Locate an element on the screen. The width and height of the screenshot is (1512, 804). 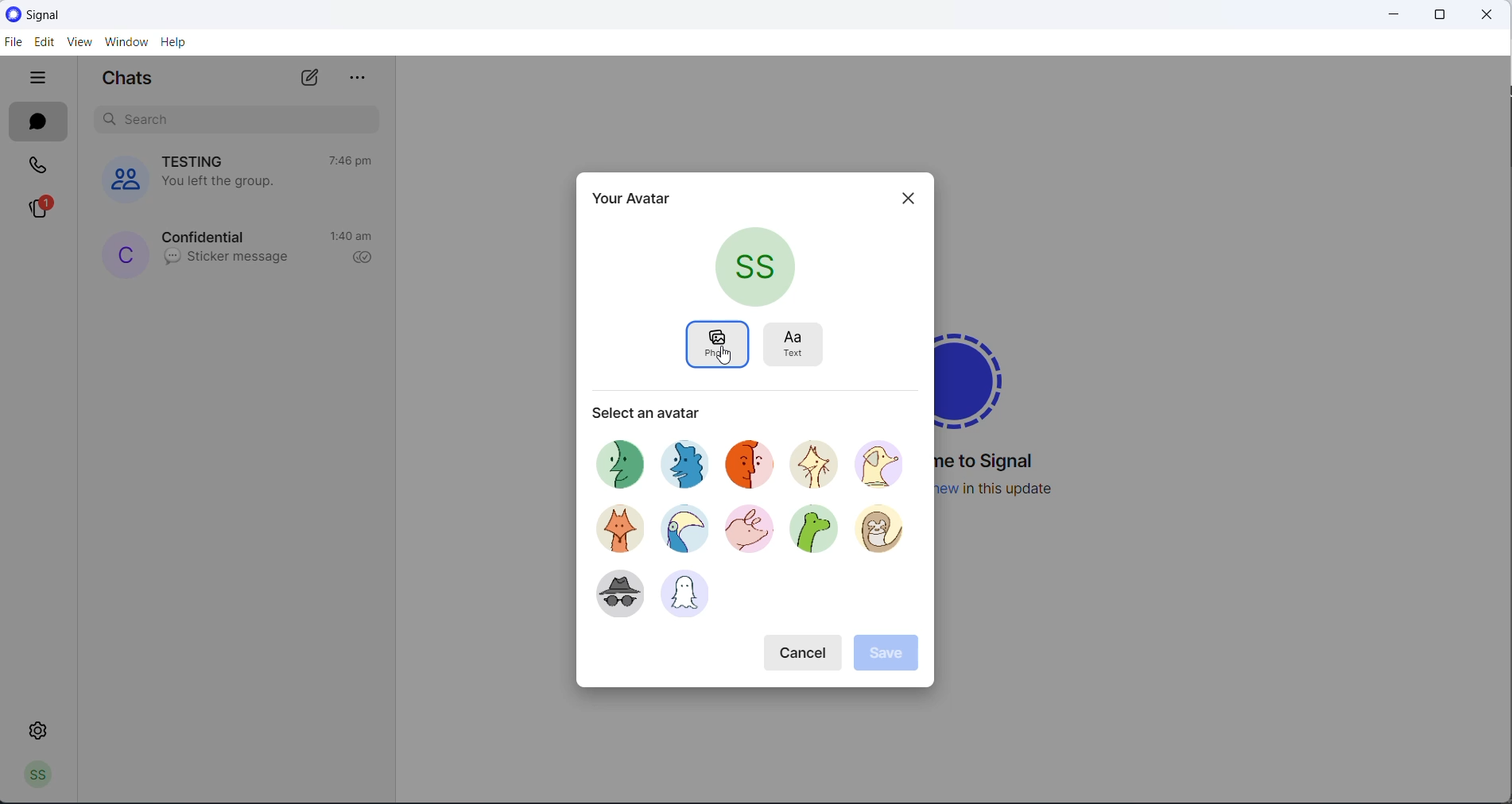
last message is located at coordinates (231, 257).